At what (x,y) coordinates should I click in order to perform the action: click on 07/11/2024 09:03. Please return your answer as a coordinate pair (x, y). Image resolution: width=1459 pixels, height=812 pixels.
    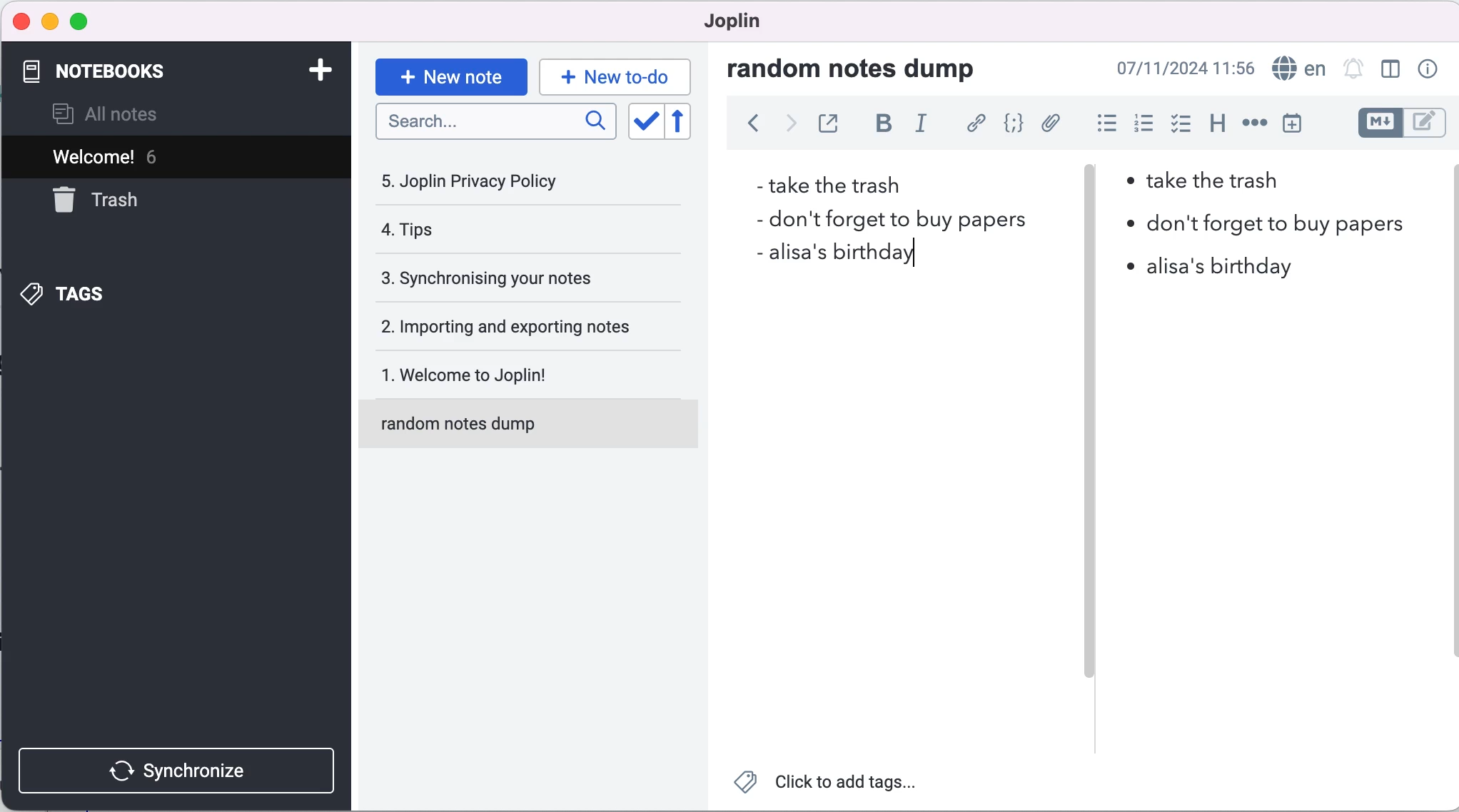
    Looking at the image, I should click on (1186, 68).